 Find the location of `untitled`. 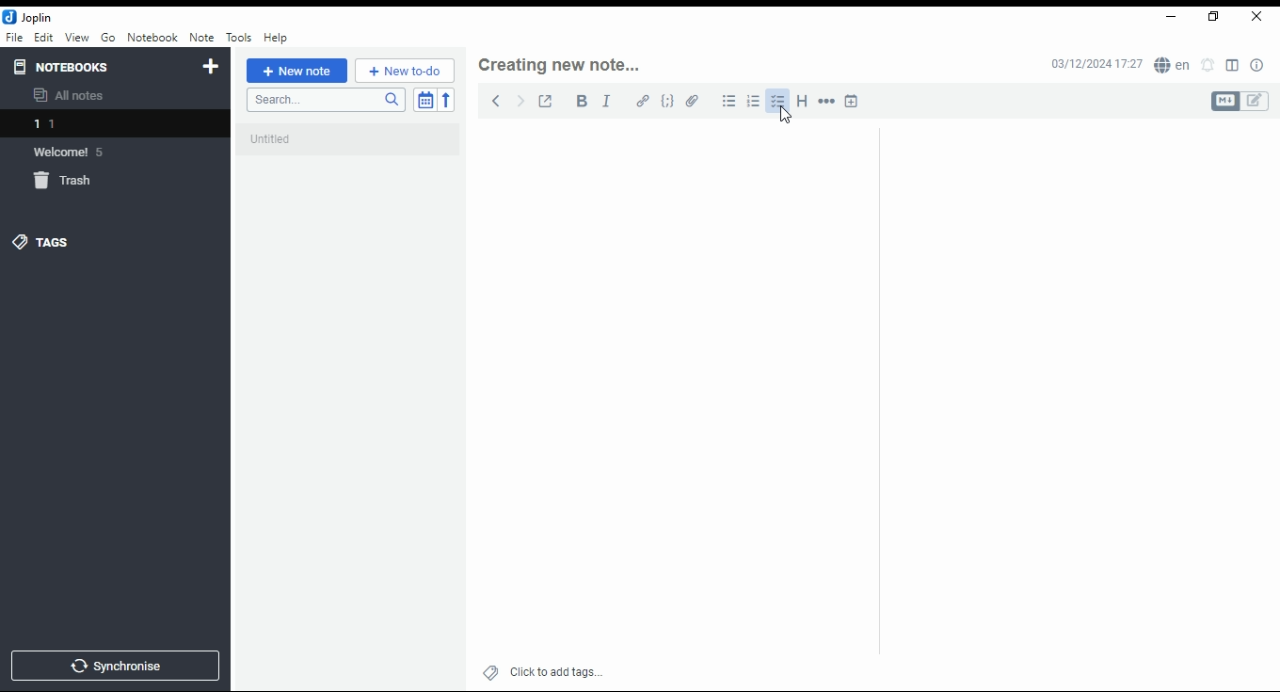

untitled is located at coordinates (282, 139).